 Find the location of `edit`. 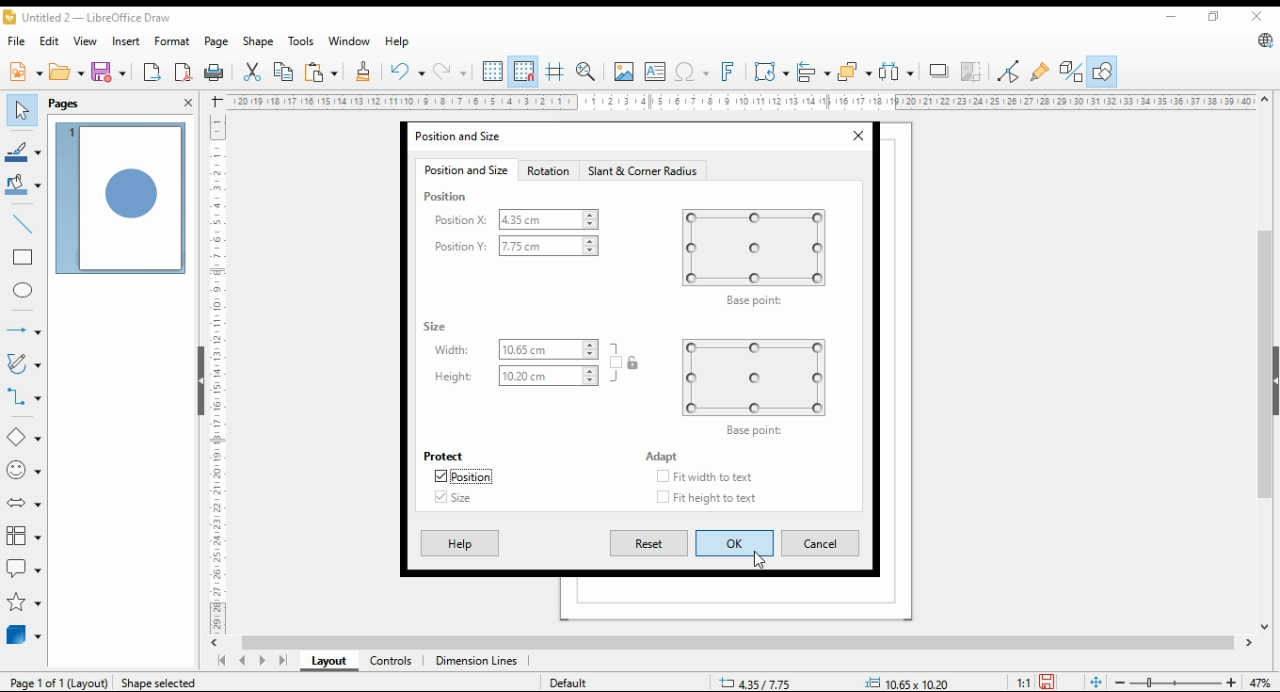

edit is located at coordinates (49, 41).